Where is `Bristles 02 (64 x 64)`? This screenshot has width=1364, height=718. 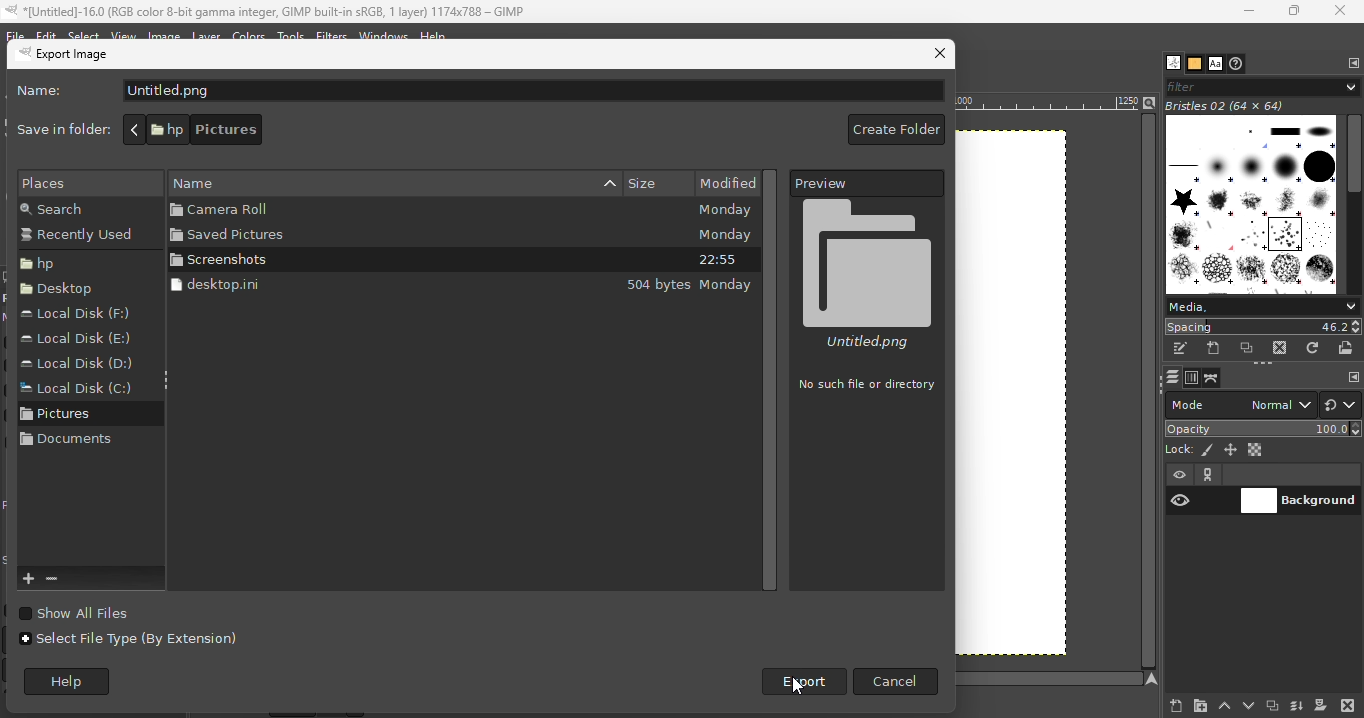
Bristles 02 (64 x 64) is located at coordinates (1229, 106).